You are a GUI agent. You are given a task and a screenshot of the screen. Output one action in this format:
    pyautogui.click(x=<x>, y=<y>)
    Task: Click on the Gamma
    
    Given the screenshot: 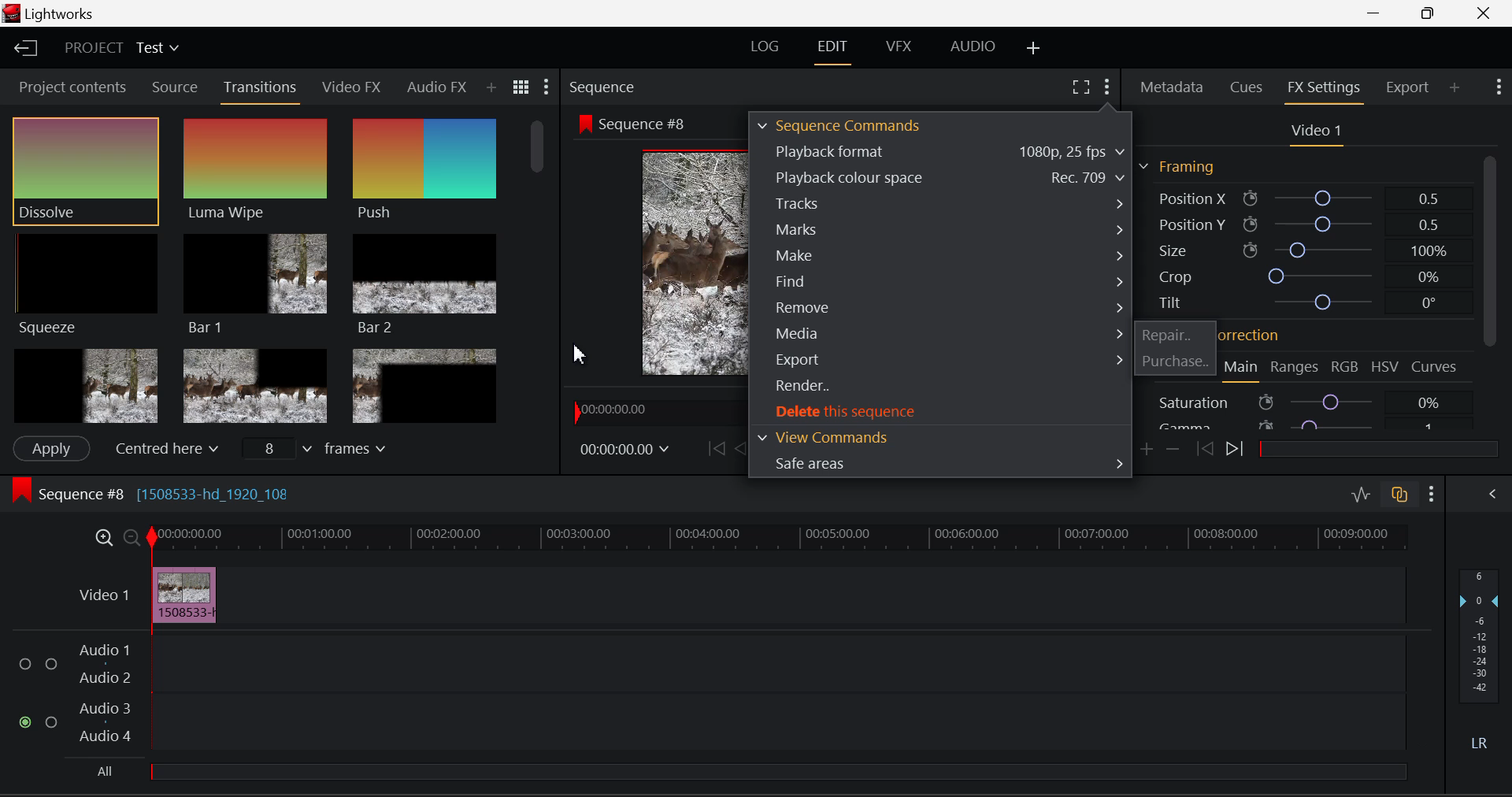 What is the action you would take?
    pyautogui.click(x=1301, y=427)
    